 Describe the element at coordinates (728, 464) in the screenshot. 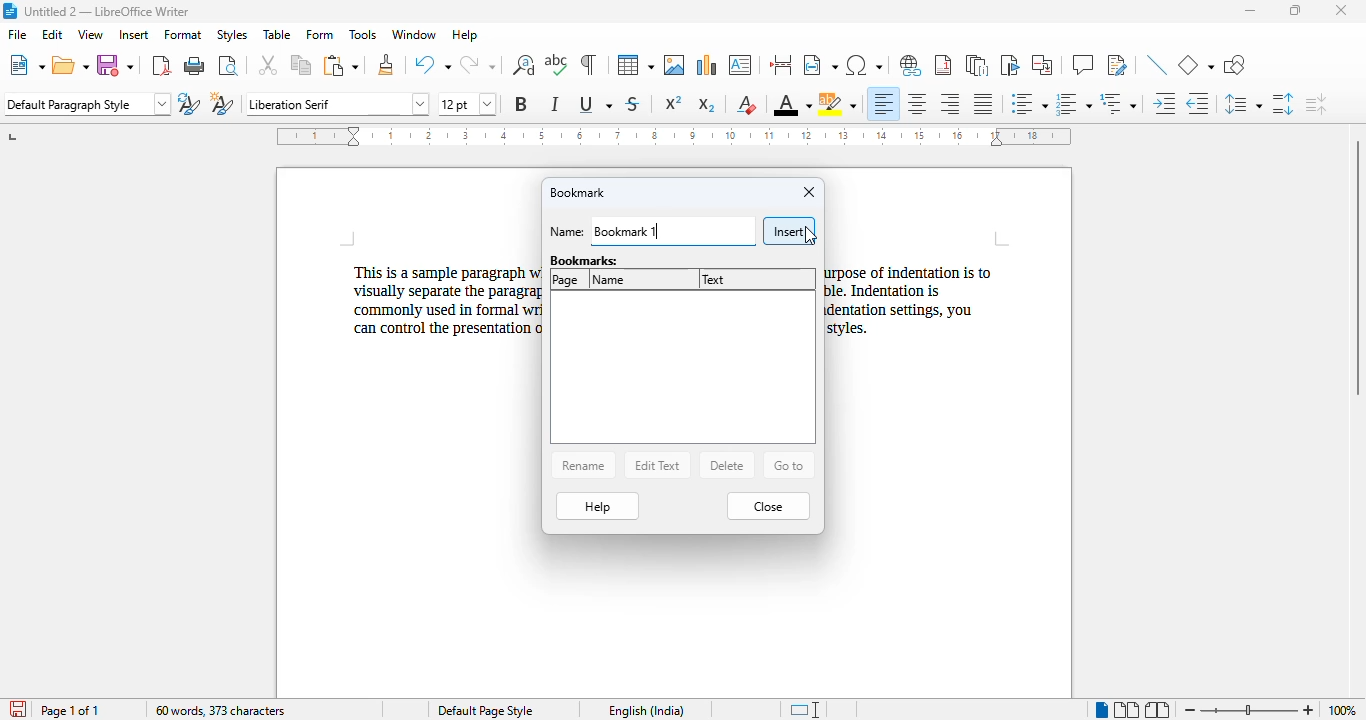

I see `delete` at that location.